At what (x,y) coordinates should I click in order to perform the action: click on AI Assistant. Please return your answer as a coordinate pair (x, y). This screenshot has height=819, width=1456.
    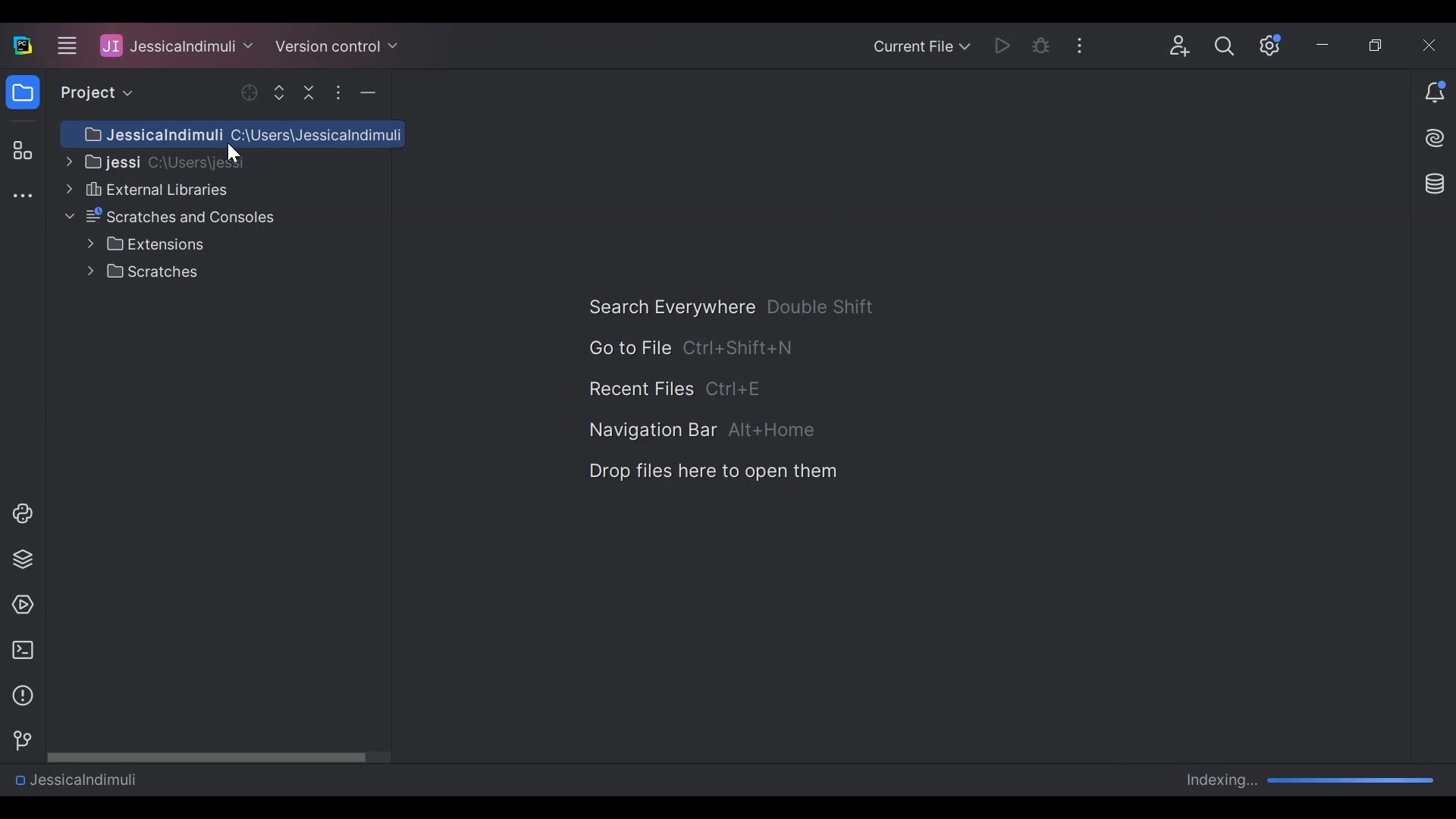
    Looking at the image, I should click on (1436, 138).